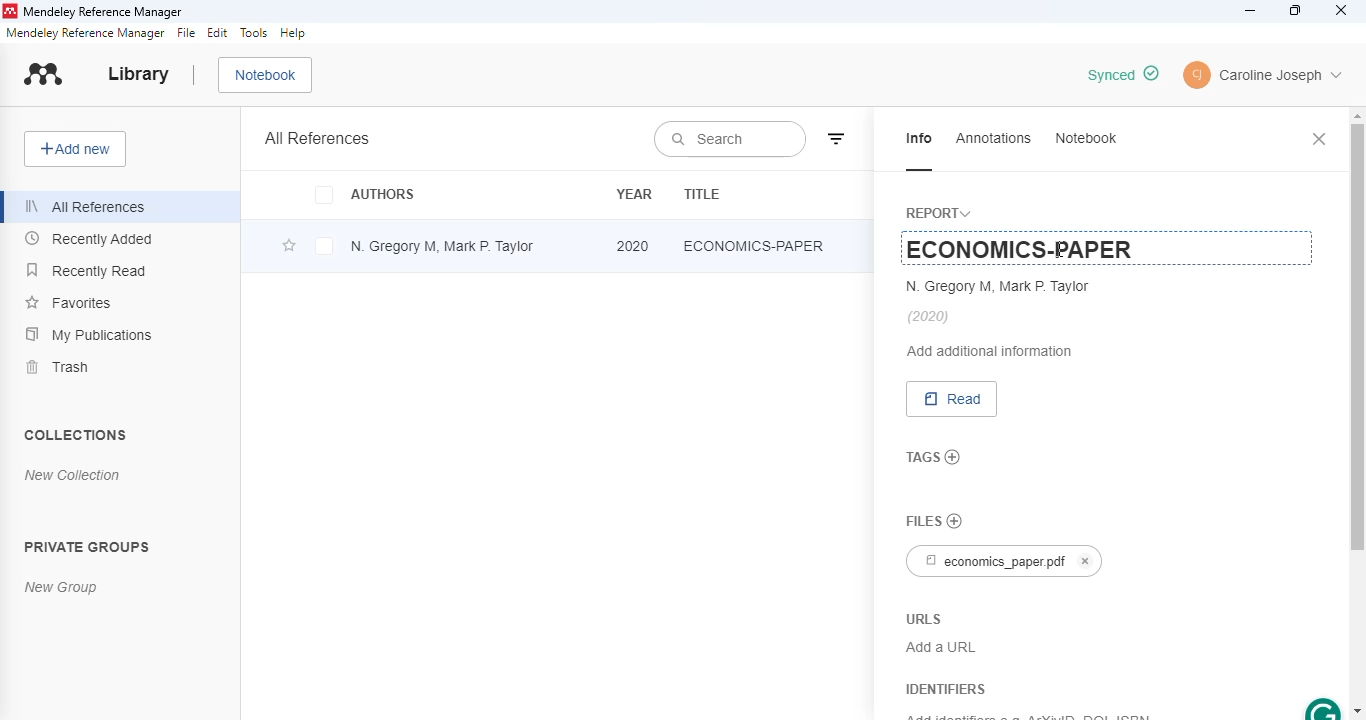  What do you see at coordinates (88, 239) in the screenshot?
I see `recently added` at bounding box center [88, 239].